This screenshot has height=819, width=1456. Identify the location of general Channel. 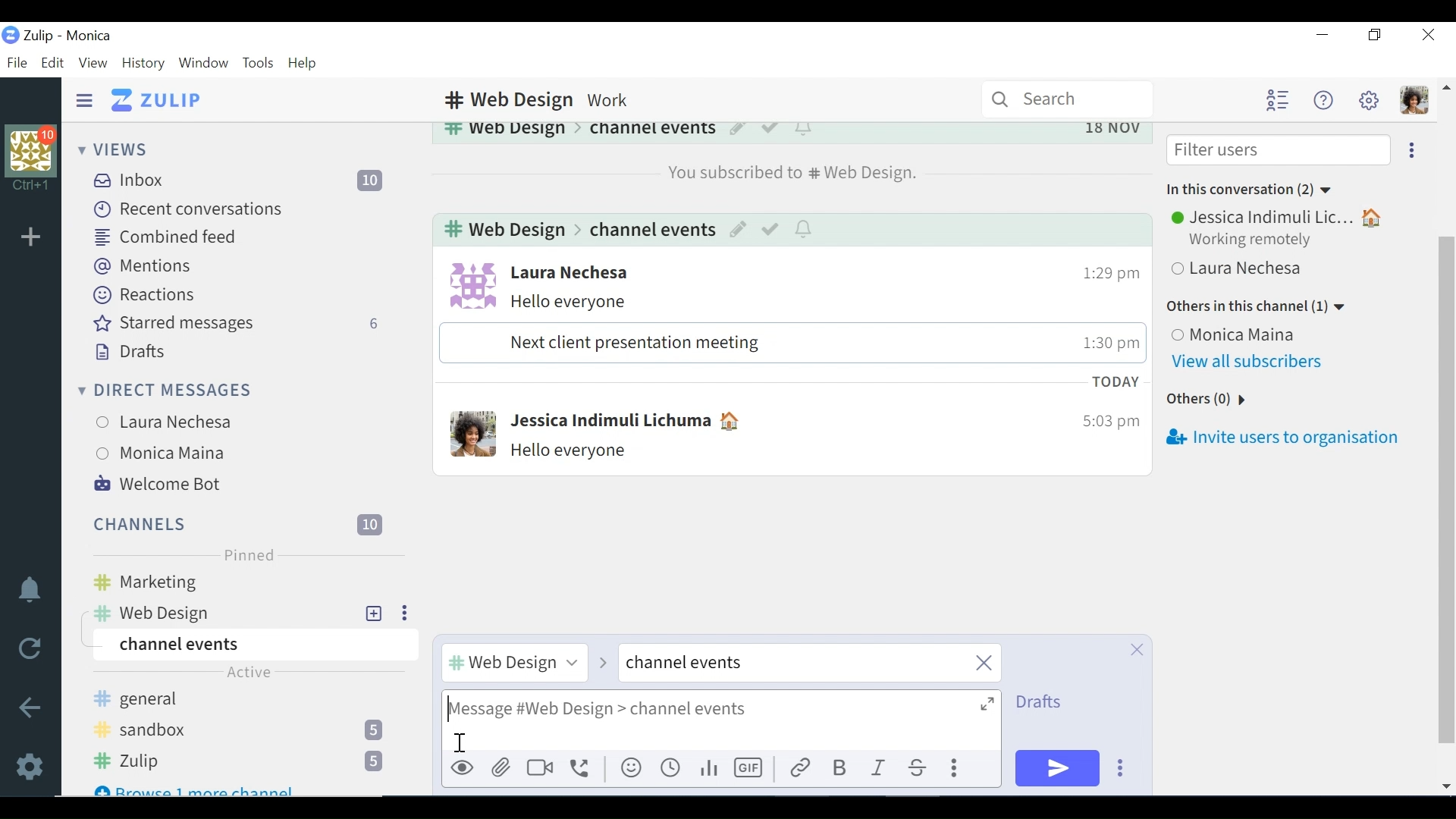
(243, 701).